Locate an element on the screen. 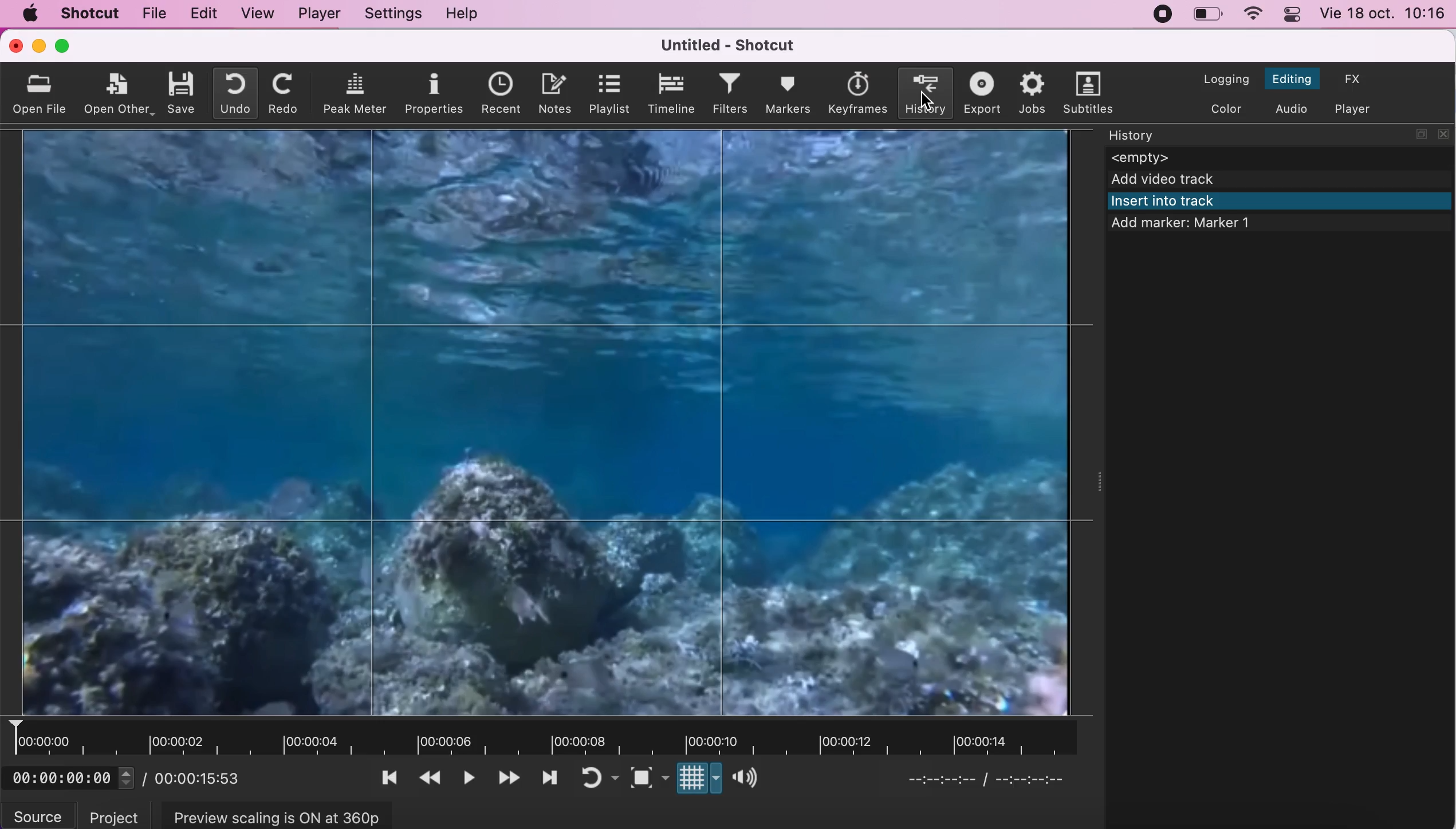  redo is located at coordinates (282, 94).